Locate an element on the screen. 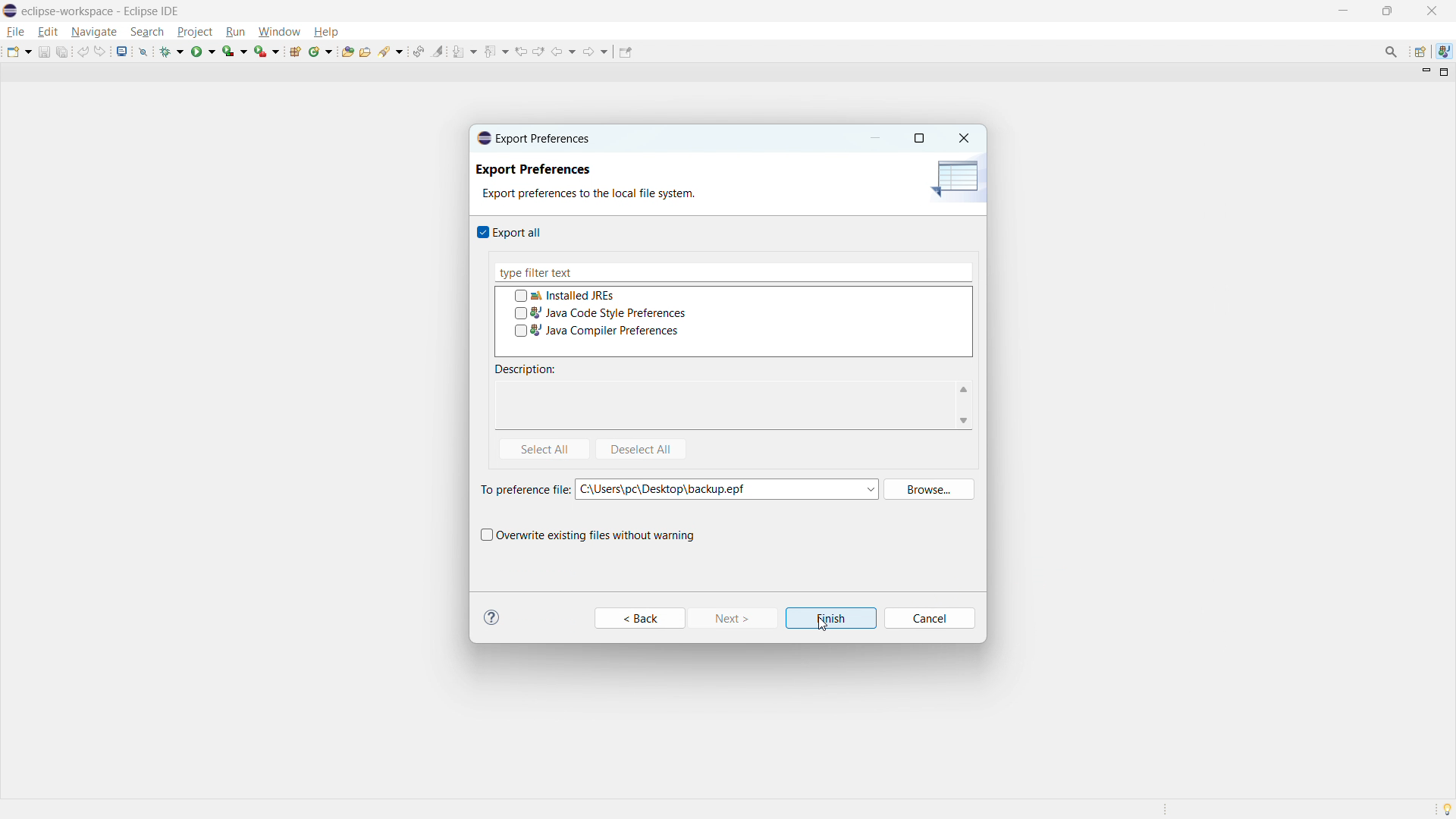  java is located at coordinates (1444, 50).